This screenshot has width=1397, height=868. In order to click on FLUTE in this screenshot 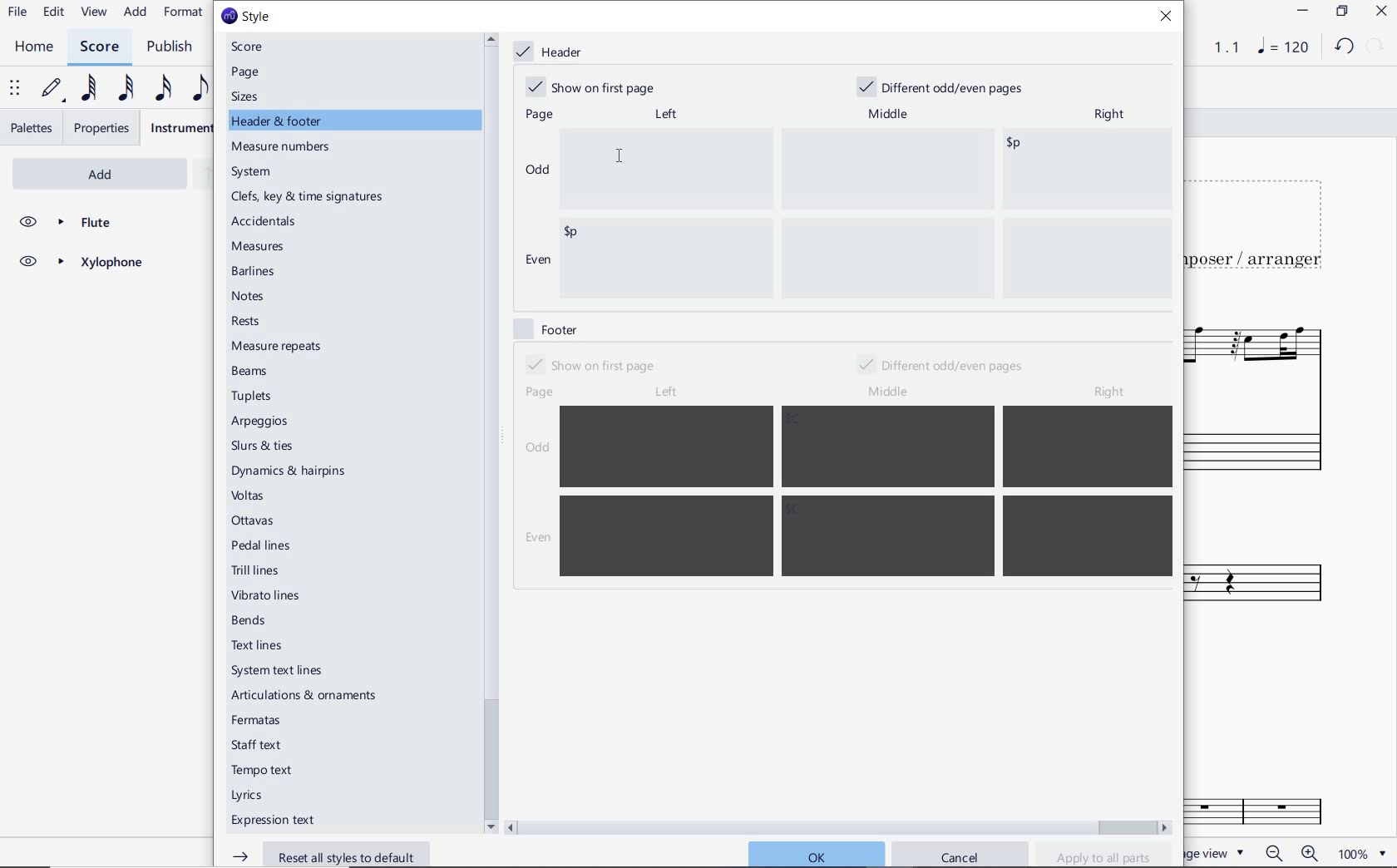, I will do `click(1266, 394)`.